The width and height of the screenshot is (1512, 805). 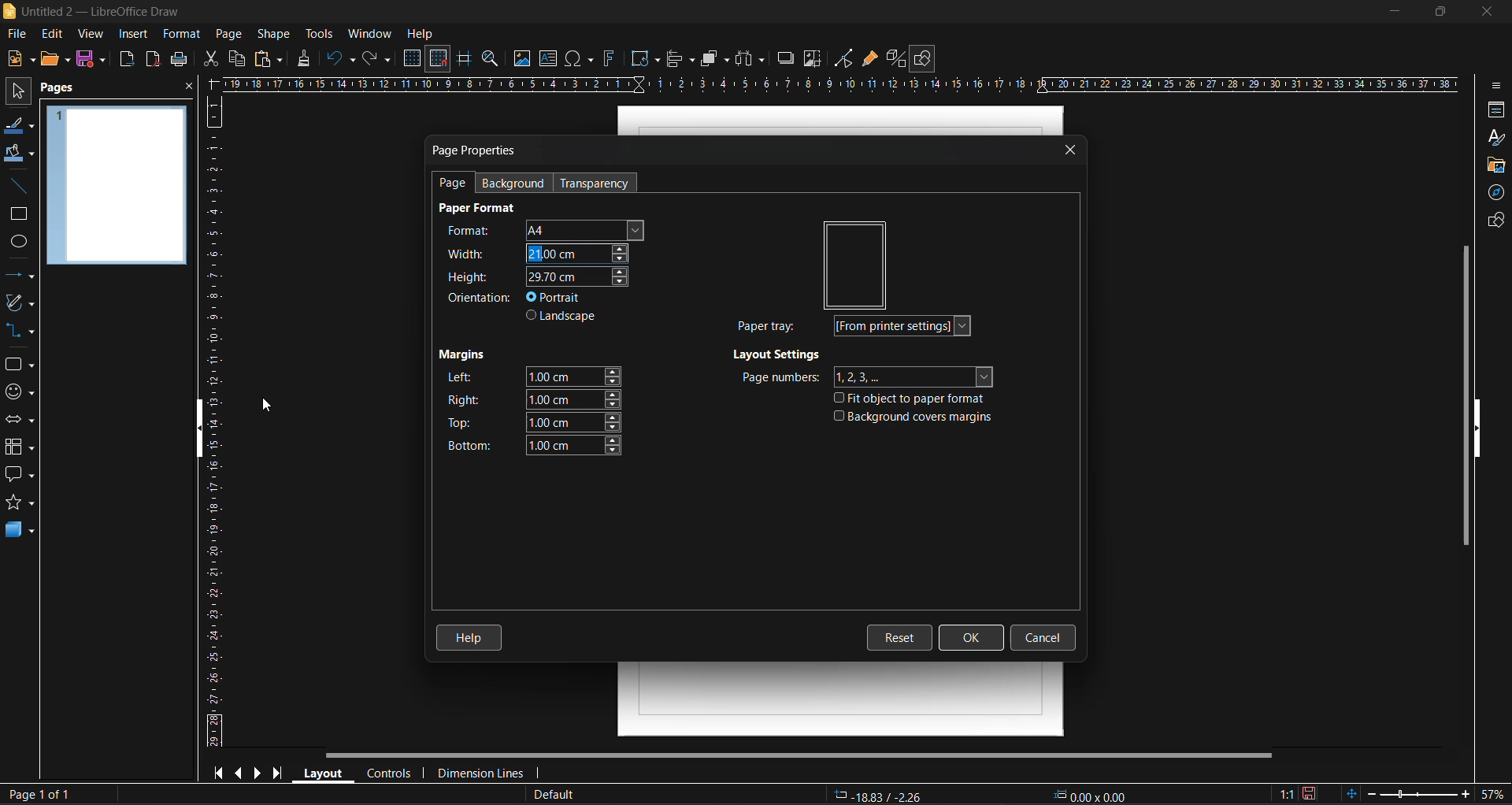 I want to click on paper tray, so click(x=860, y=327).